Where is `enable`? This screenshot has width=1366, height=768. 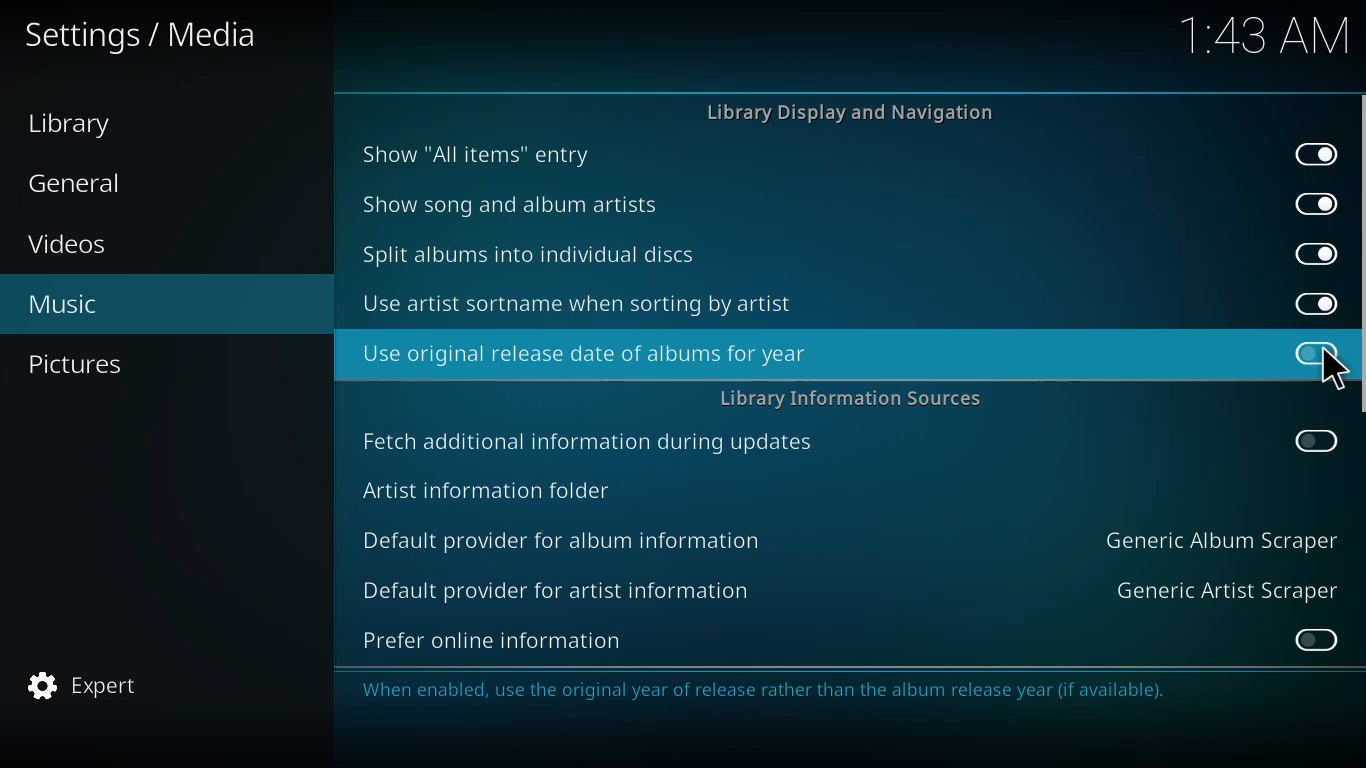
enable is located at coordinates (1314, 439).